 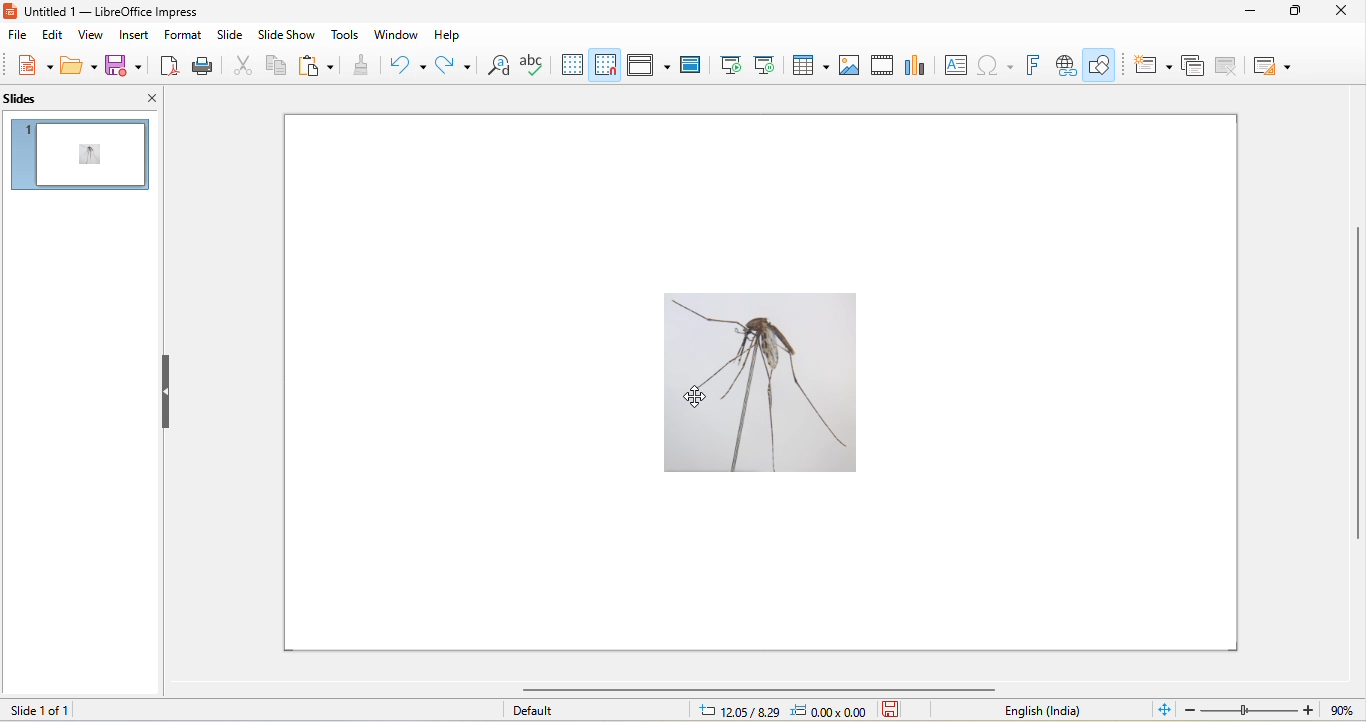 I want to click on layout, so click(x=1270, y=67).